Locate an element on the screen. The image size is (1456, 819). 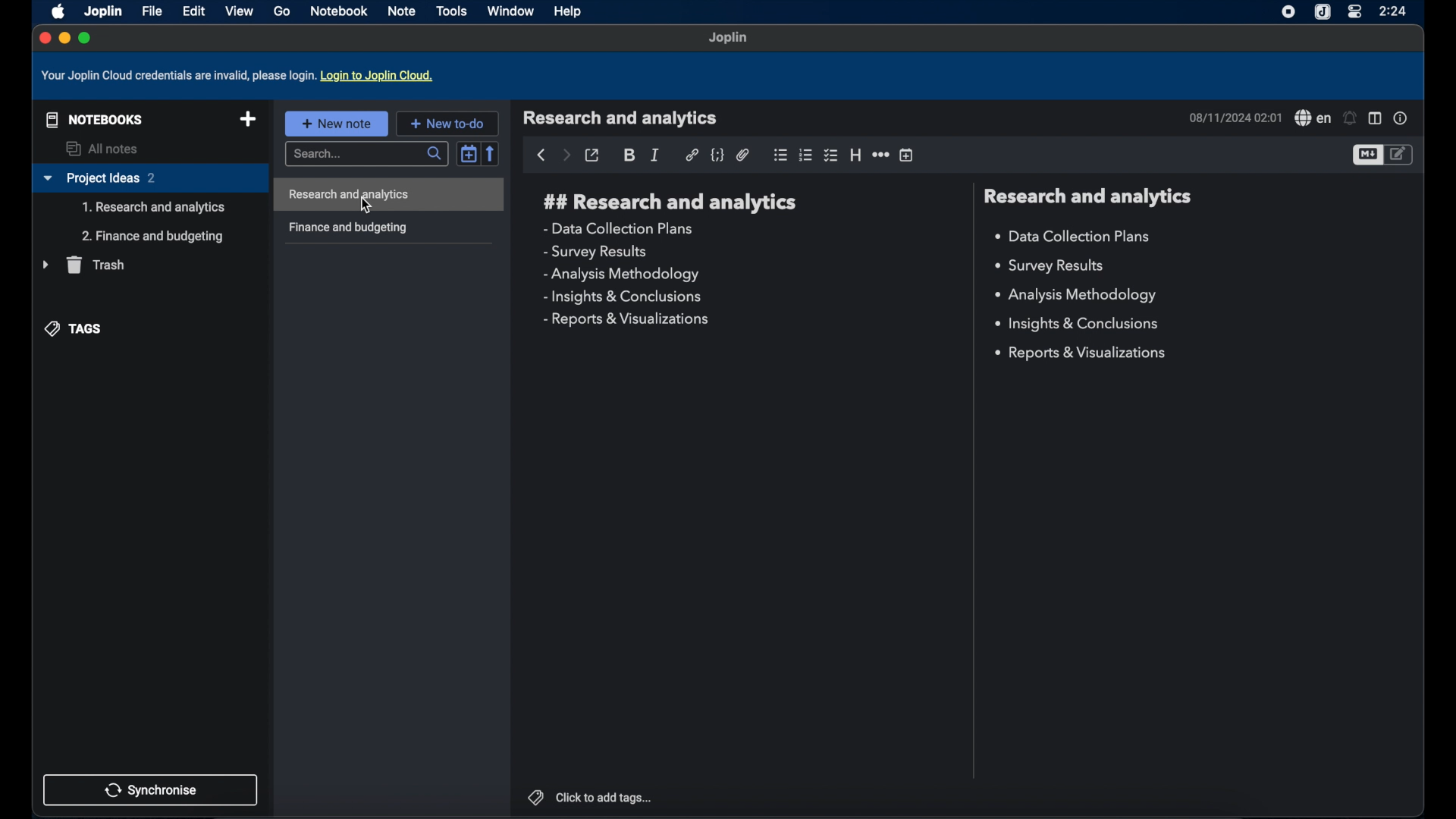
reports and visualization is located at coordinates (1083, 353).